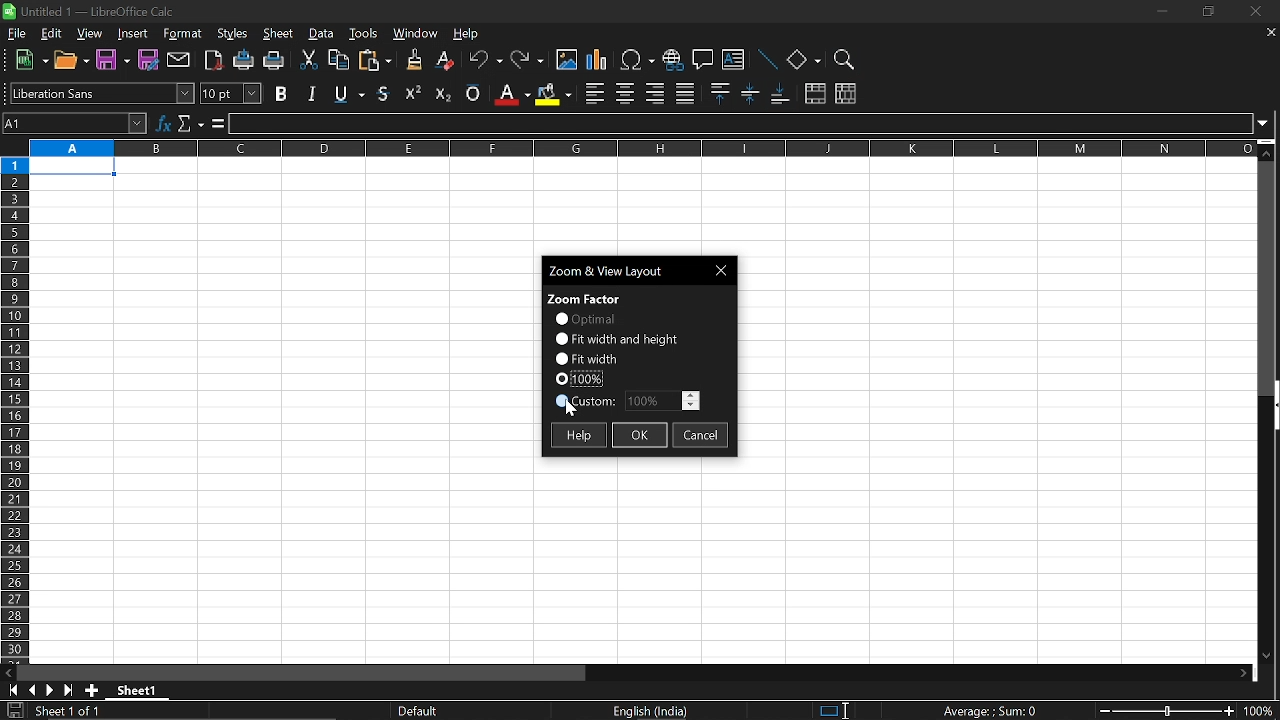 This screenshot has width=1280, height=720. I want to click on format, so click(182, 35).